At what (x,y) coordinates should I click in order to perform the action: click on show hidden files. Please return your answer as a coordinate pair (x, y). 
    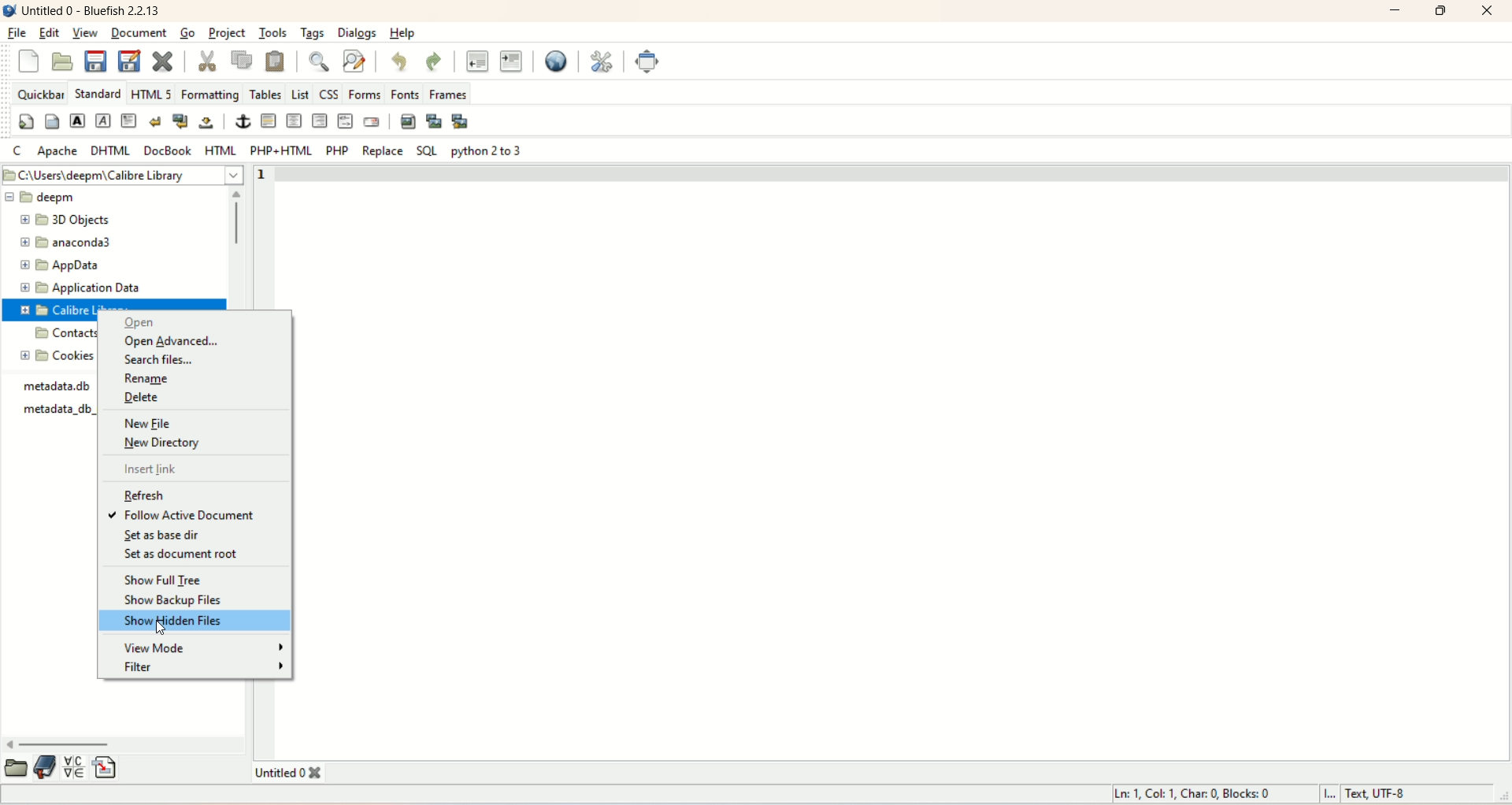
    Looking at the image, I should click on (197, 623).